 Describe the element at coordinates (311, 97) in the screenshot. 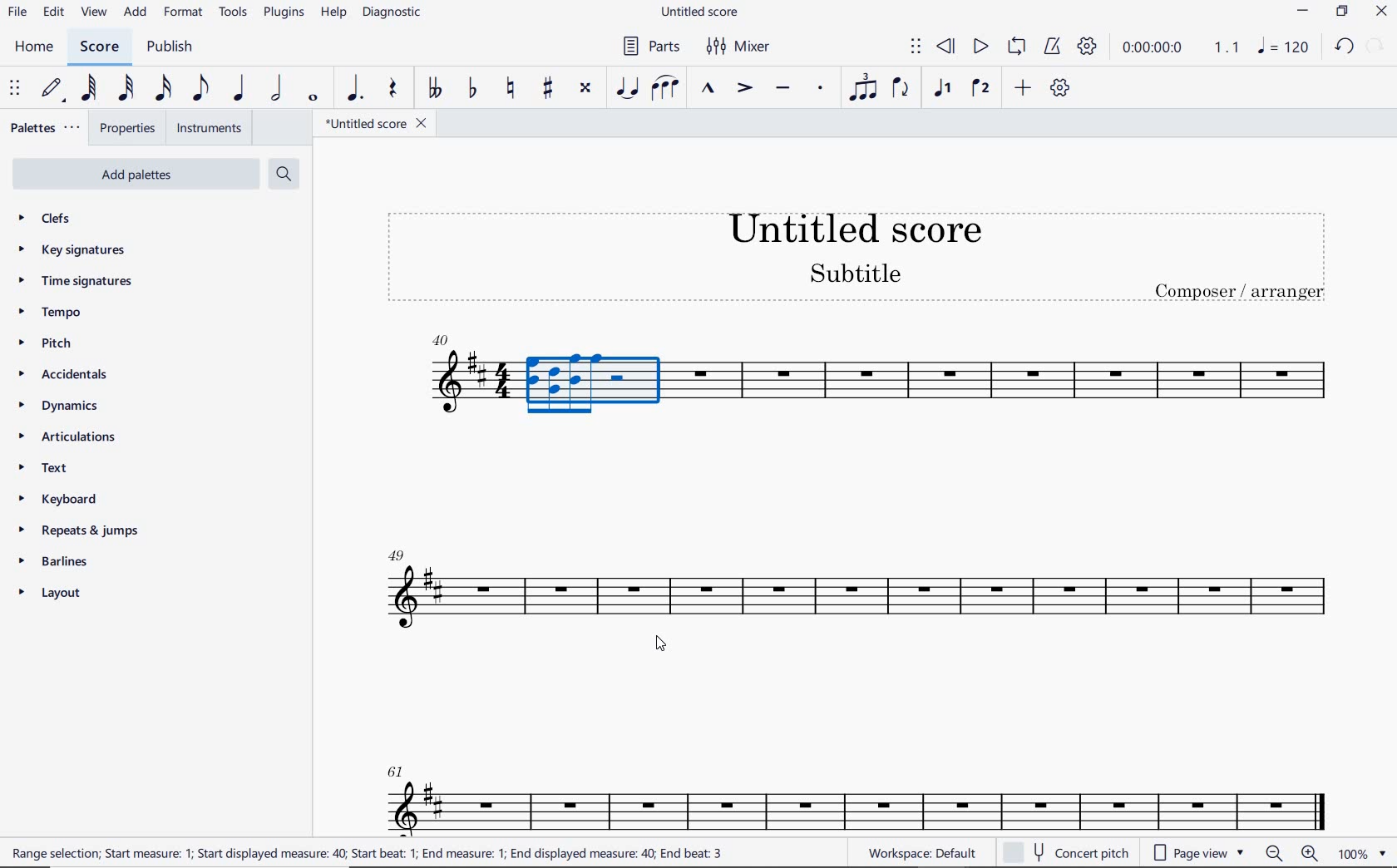

I see `WHOLE NOTE` at that location.